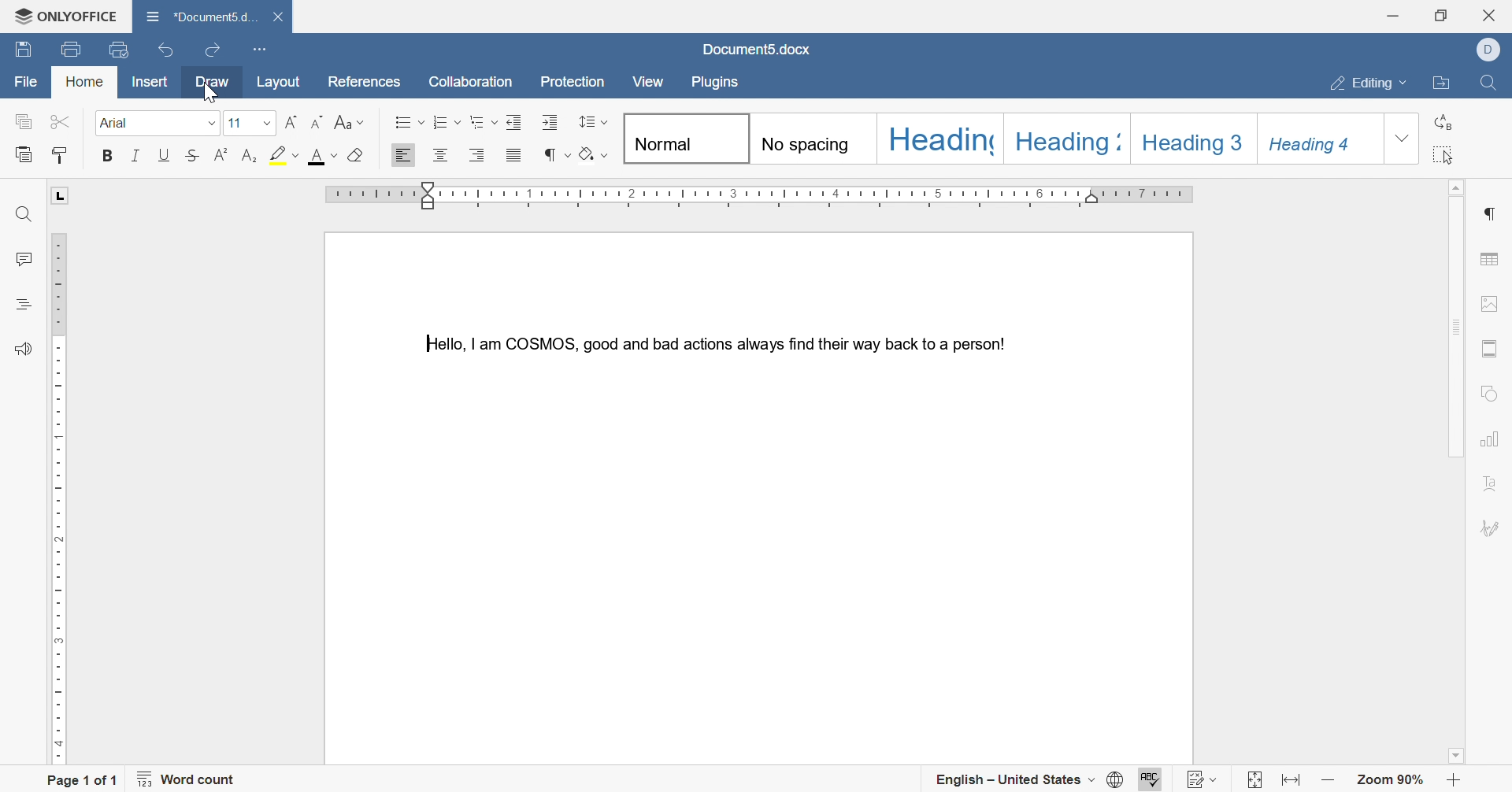 The width and height of the screenshot is (1512, 792). I want to click on minimize, so click(1392, 13).